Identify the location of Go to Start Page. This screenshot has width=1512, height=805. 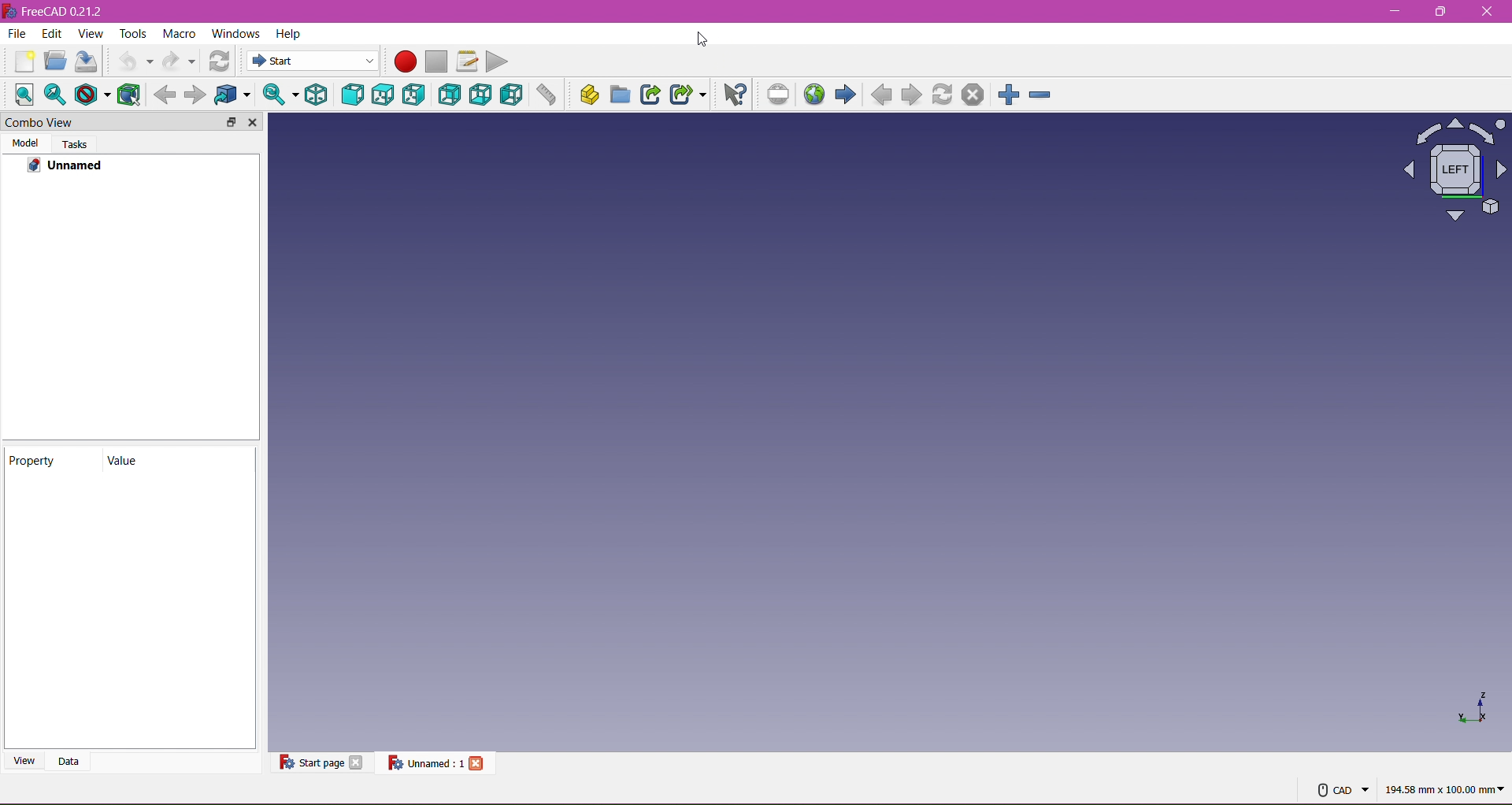
(813, 94).